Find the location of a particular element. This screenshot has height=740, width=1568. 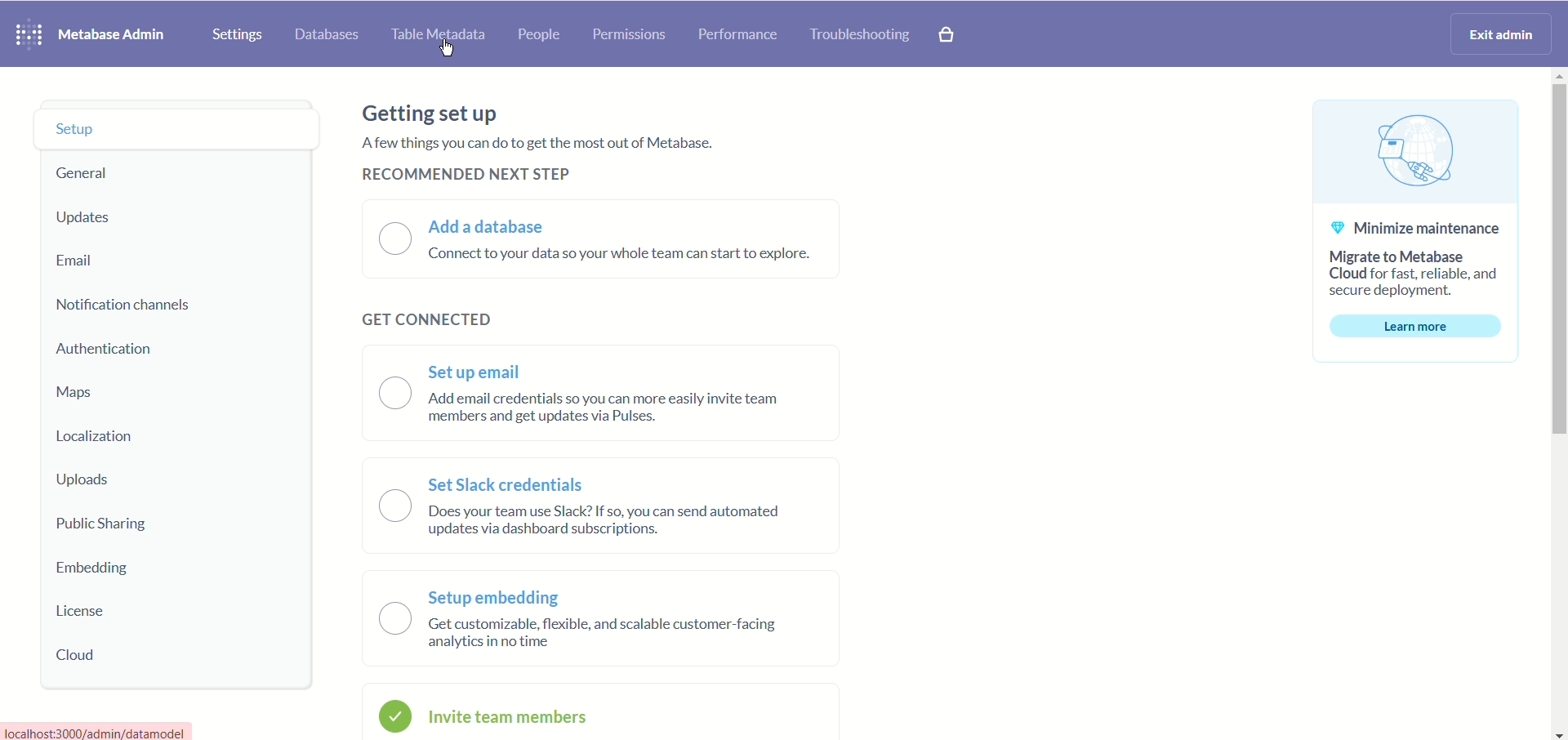

Settings is located at coordinates (234, 31).